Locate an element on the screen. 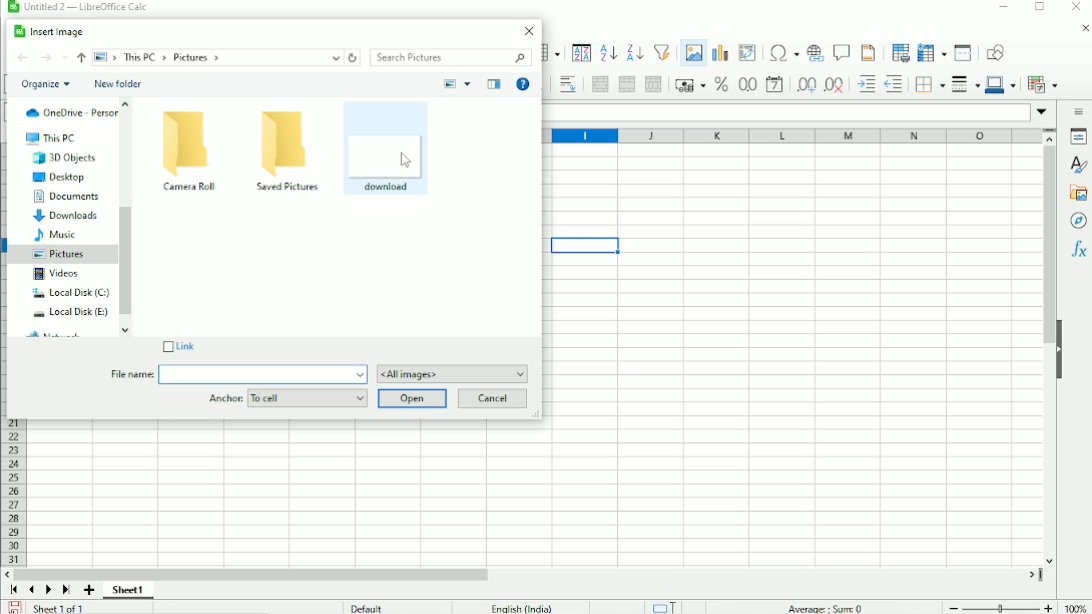 The image size is (1092, 614). Minimize is located at coordinates (1001, 8).